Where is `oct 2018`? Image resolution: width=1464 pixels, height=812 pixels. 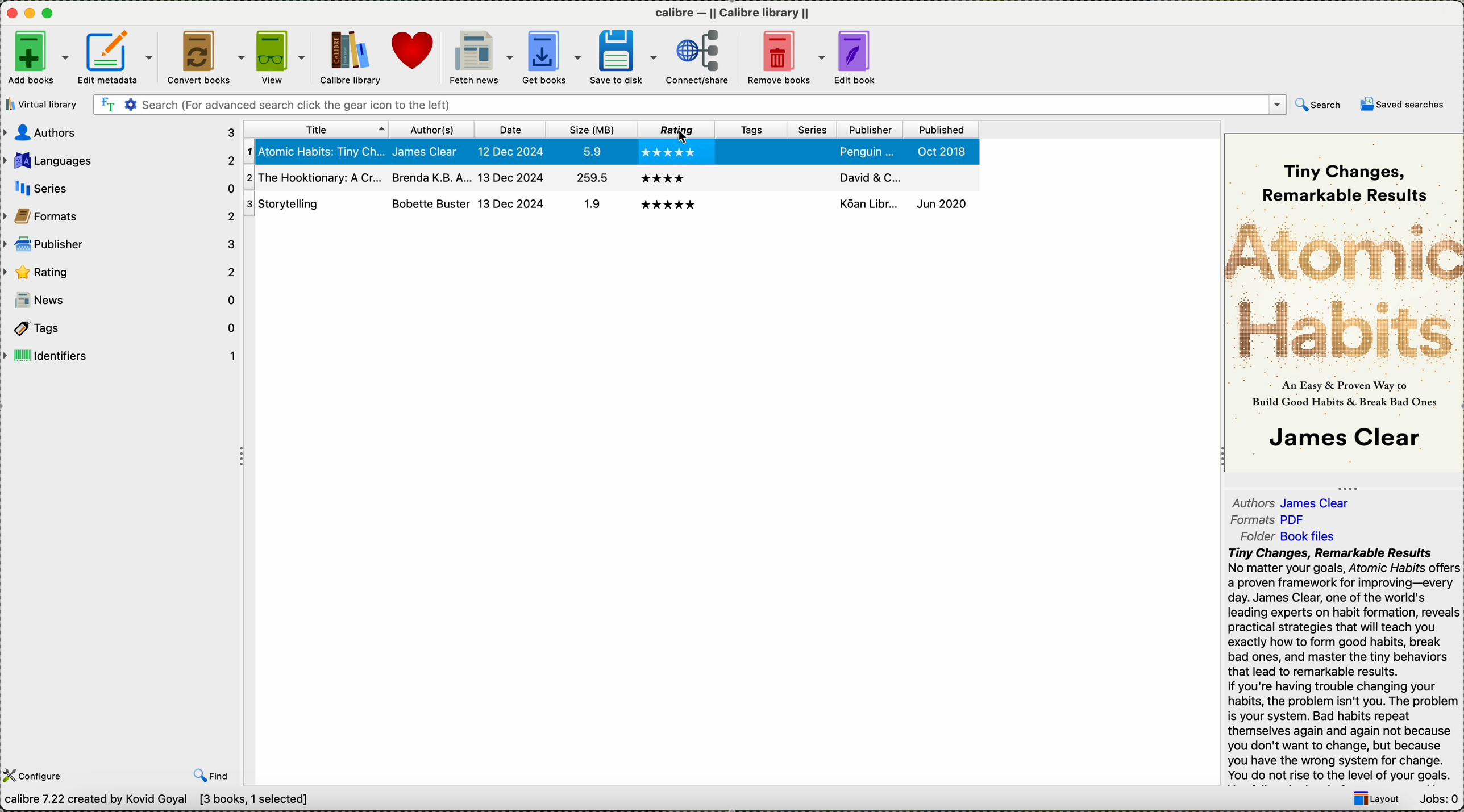
oct 2018 is located at coordinates (945, 151).